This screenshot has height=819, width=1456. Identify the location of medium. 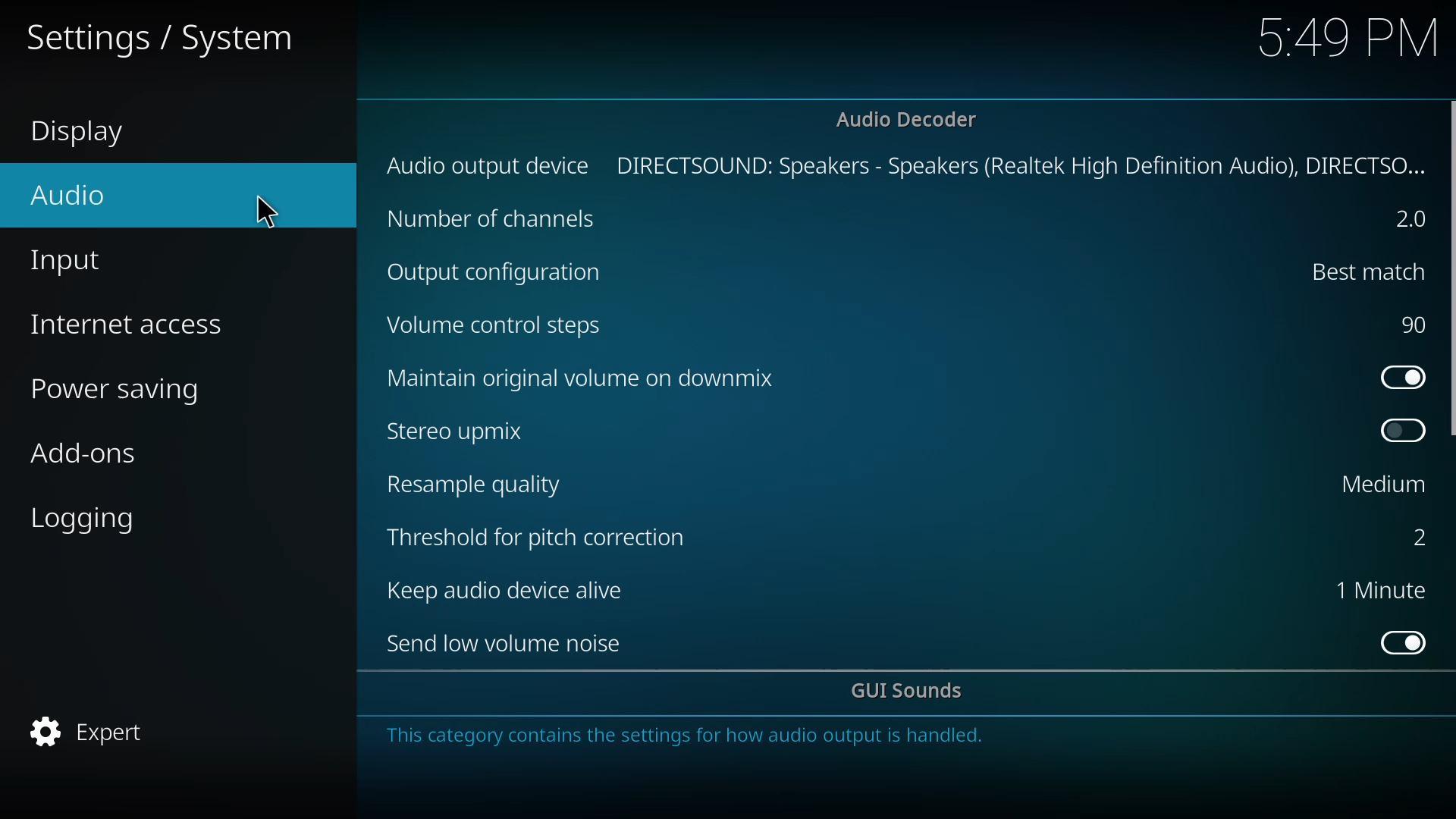
(1383, 484).